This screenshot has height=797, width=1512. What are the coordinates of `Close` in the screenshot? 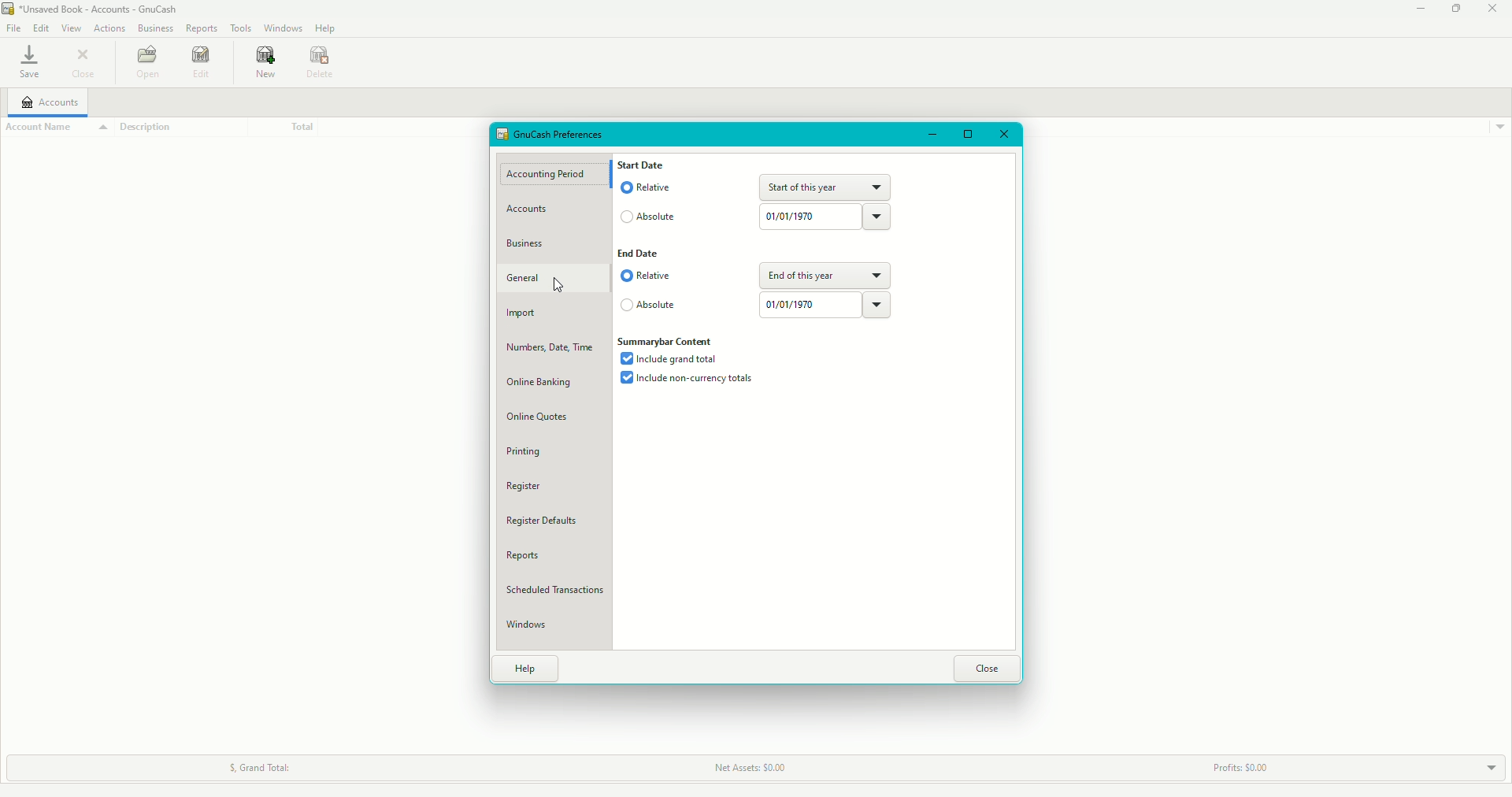 It's located at (1493, 9).